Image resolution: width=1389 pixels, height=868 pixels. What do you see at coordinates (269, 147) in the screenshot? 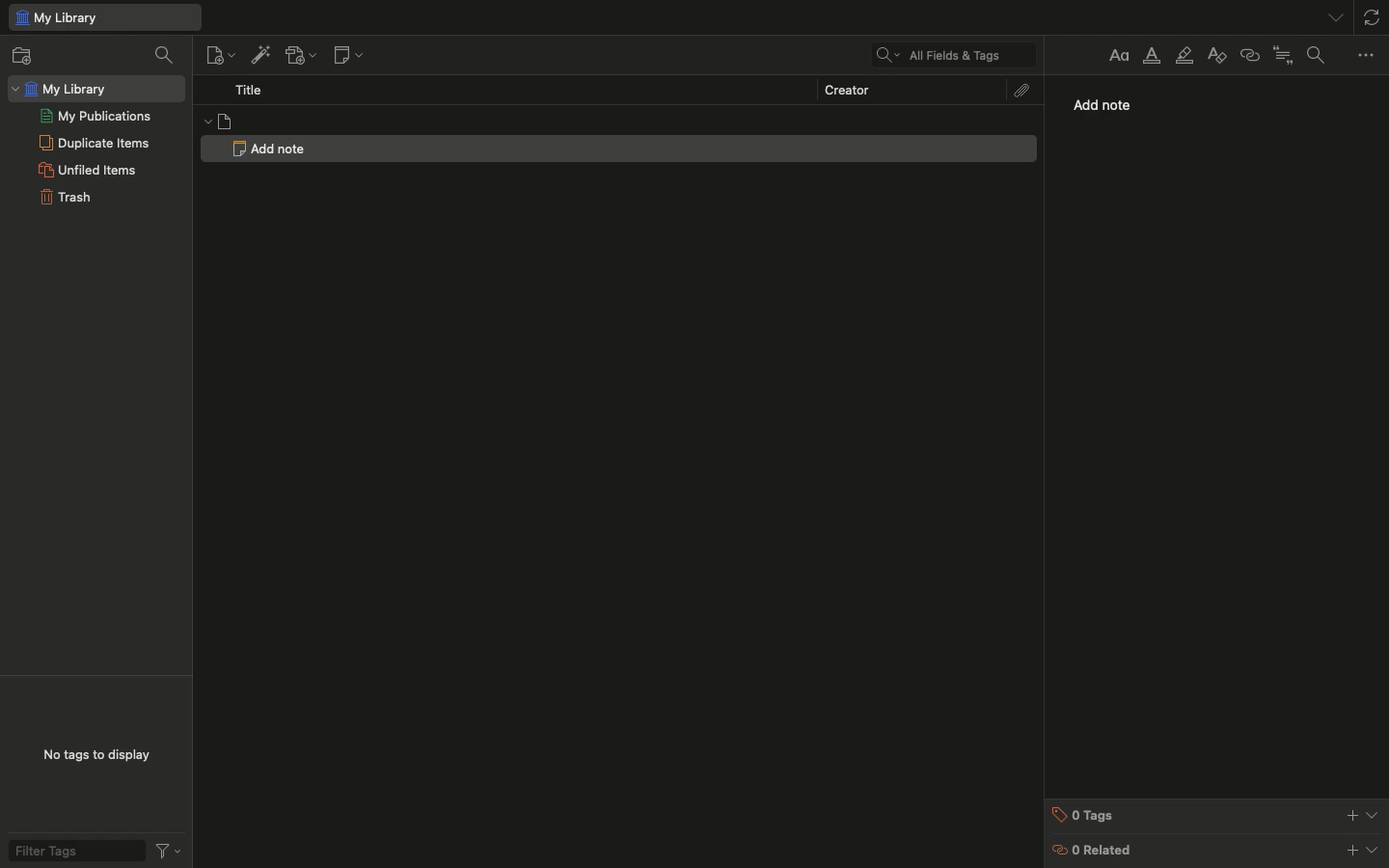
I see `Add note title` at bounding box center [269, 147].